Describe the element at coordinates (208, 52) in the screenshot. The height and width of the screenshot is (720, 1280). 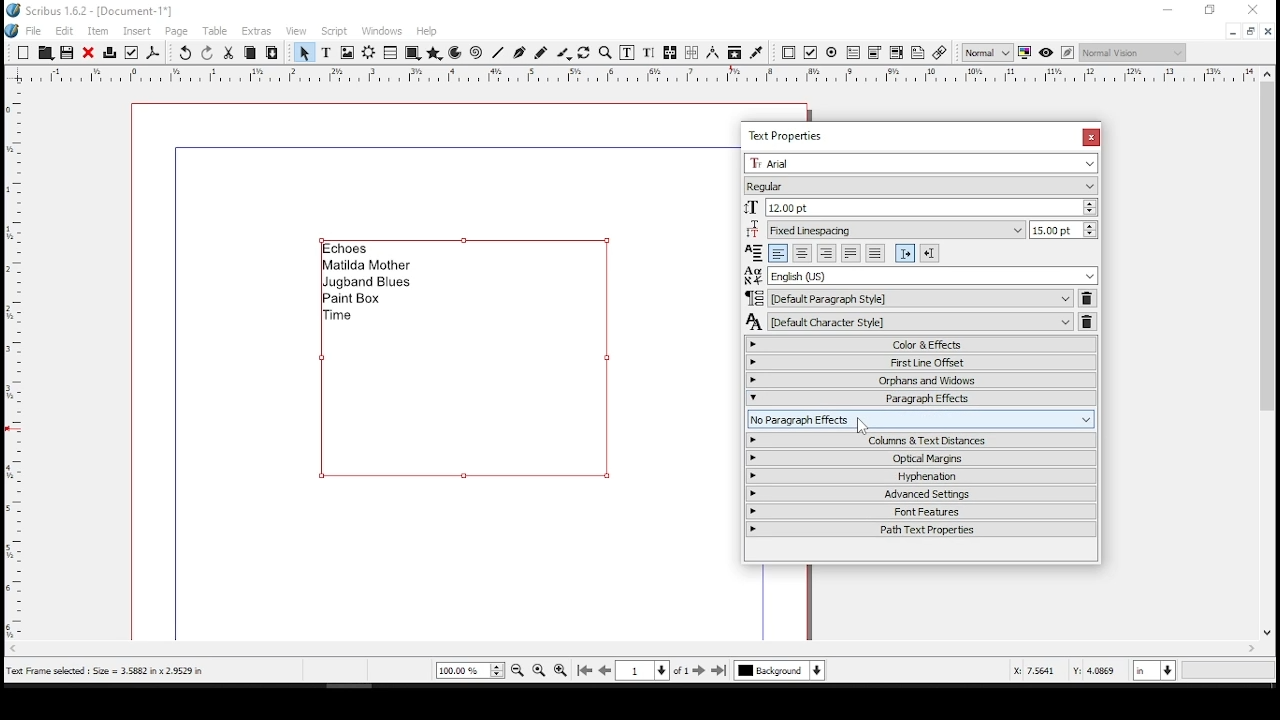
I see `redo` at that location.